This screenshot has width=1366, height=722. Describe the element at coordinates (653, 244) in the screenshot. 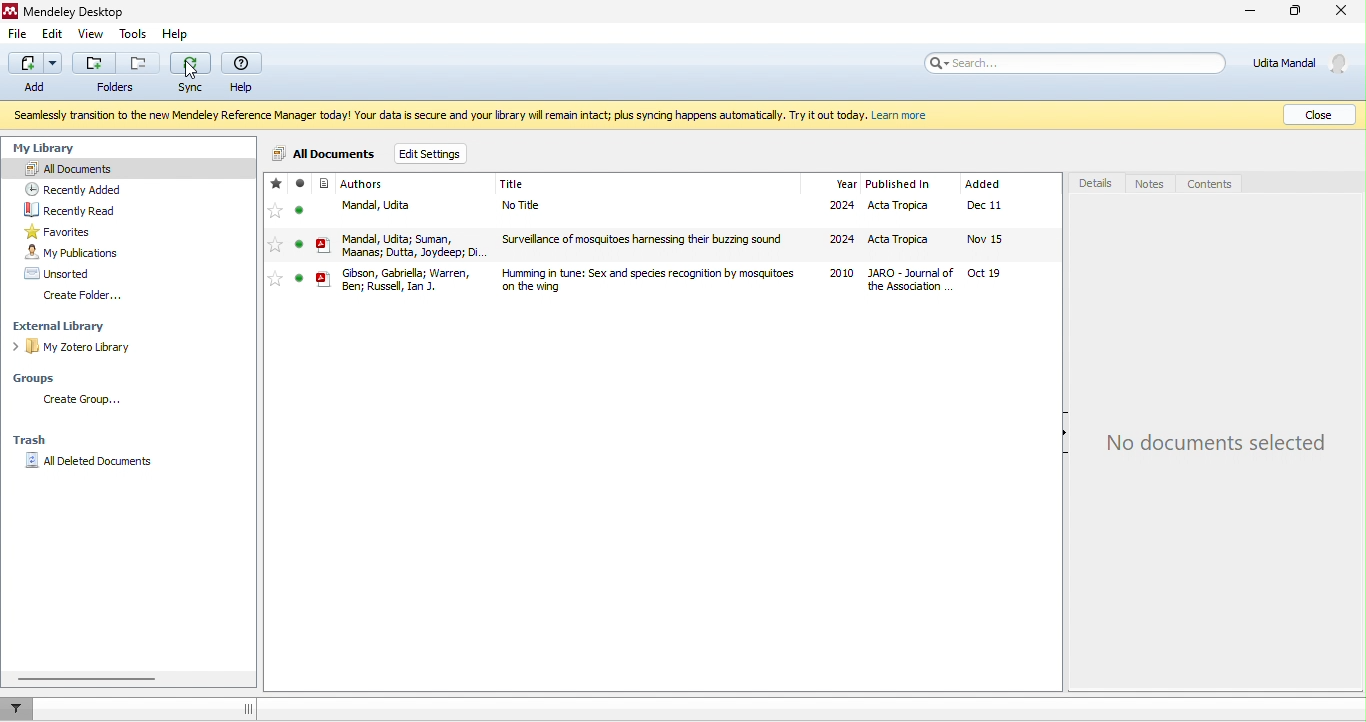

I see `file` at that location.